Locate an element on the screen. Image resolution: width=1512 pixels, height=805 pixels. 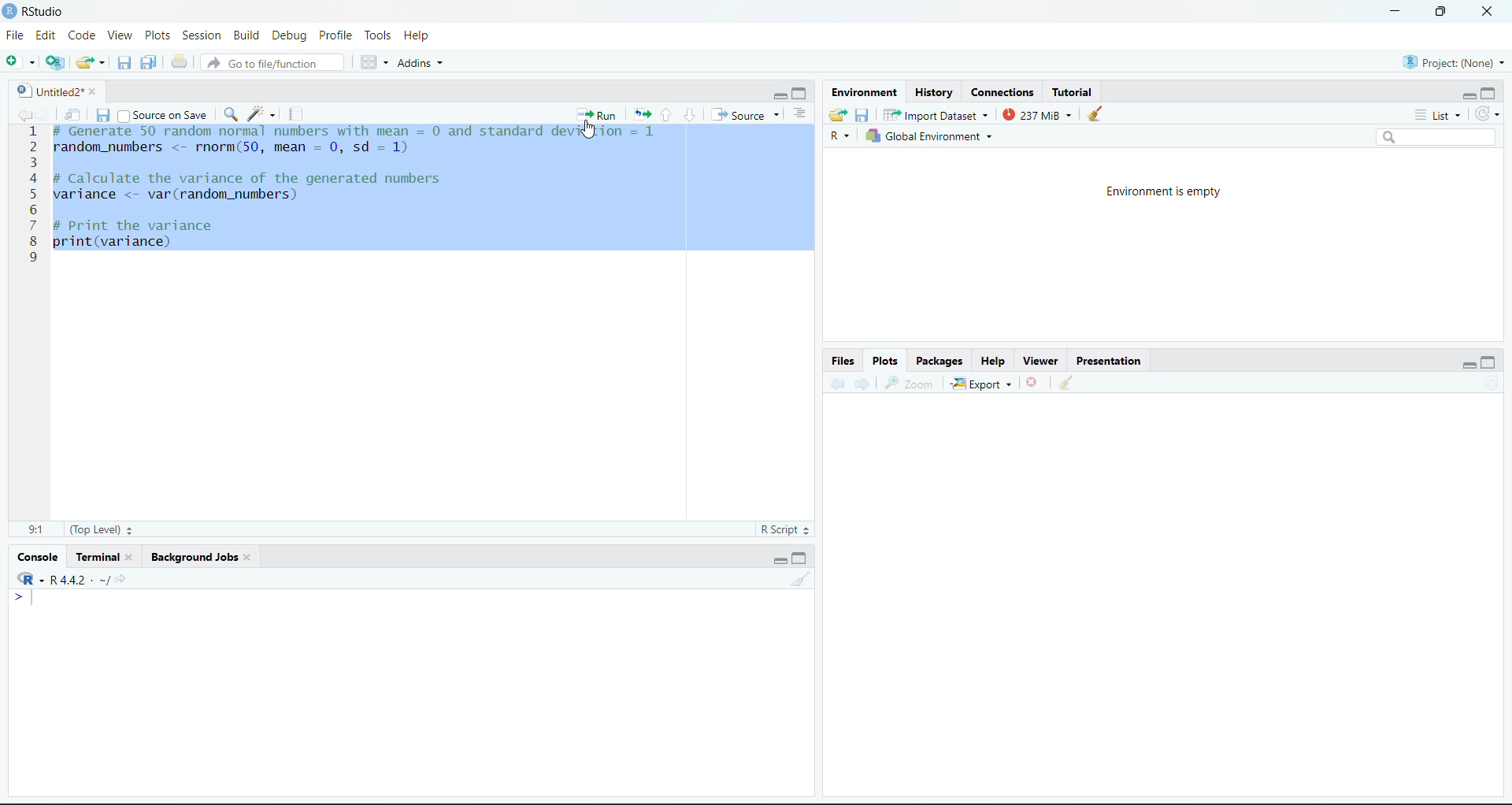
minimize is located at coordinates (780, 561).